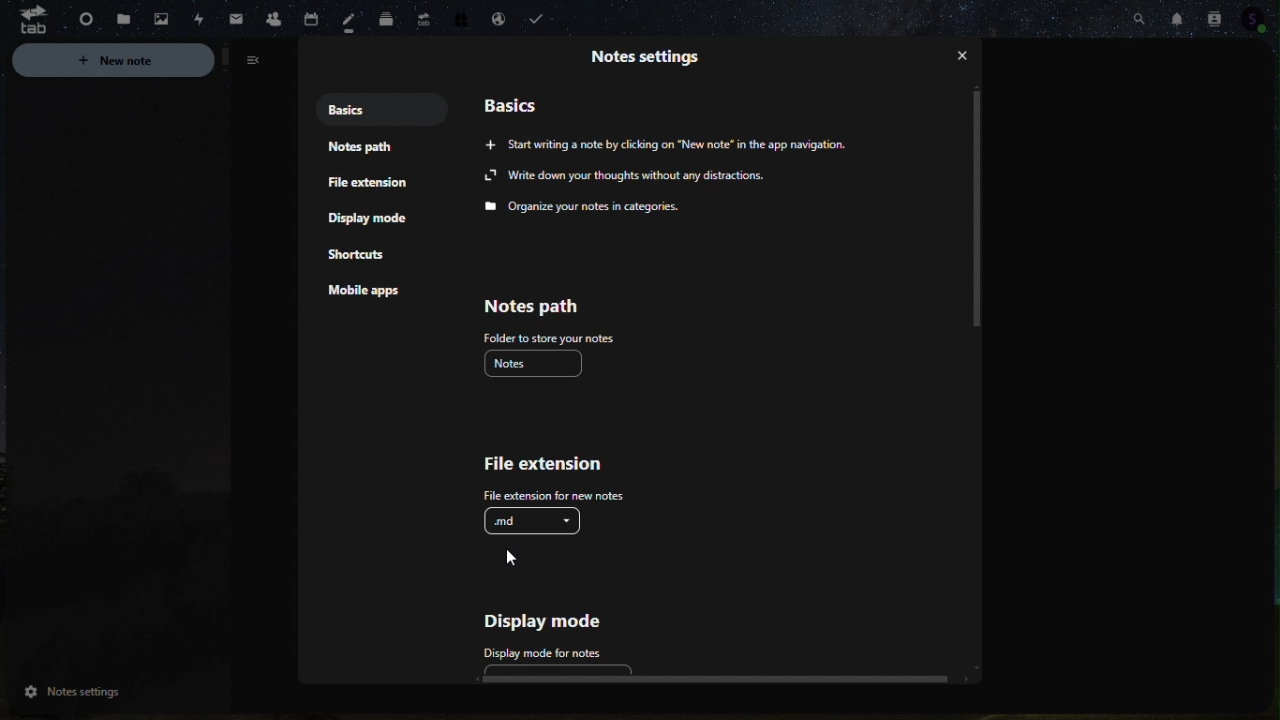 The width and height of the screenshot is (1280, 720). Describe the element at coordinates (589, 208) in the screenshot. I see `Organize your notes in categories.` at that location.